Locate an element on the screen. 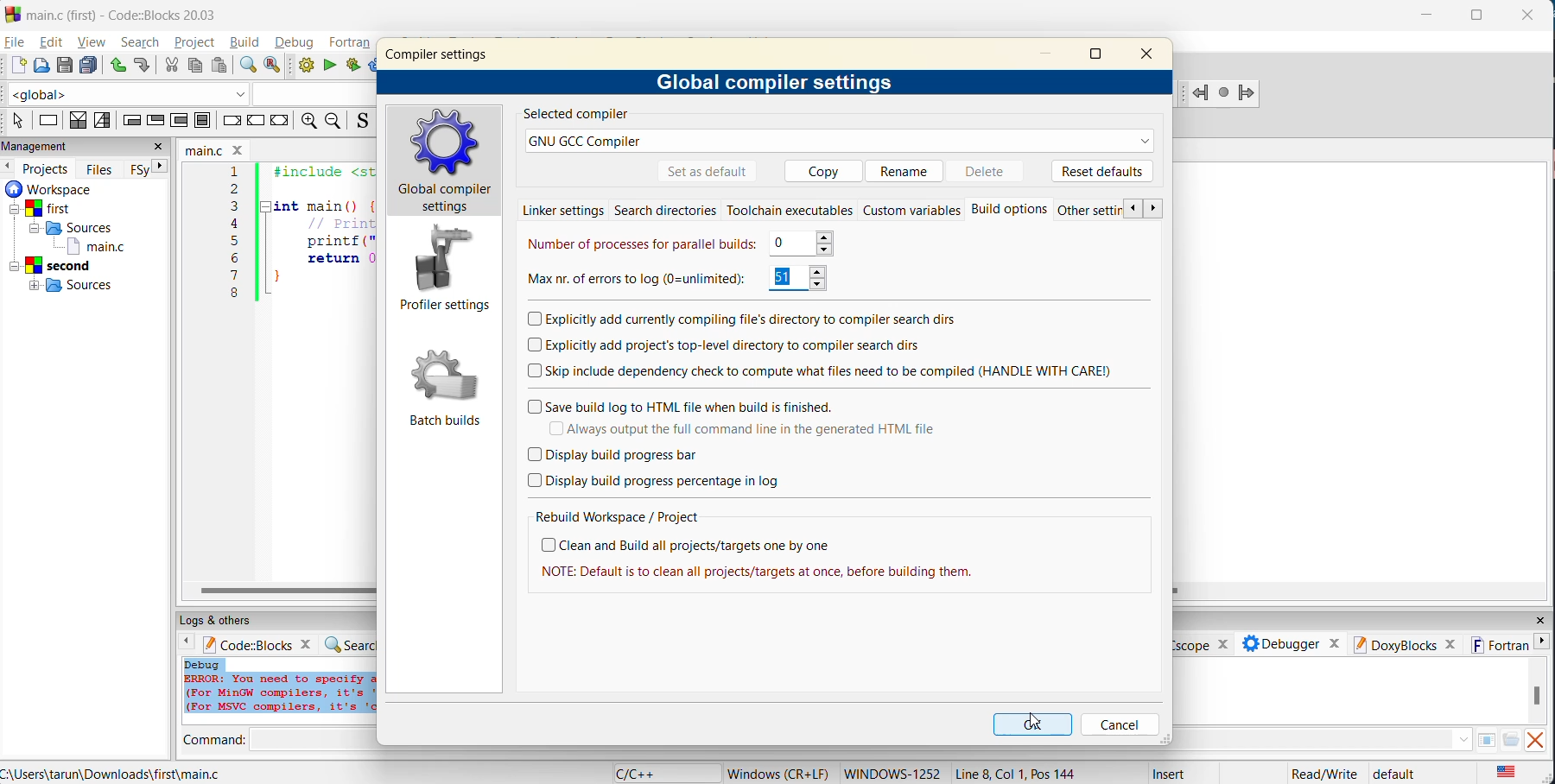  Read/Write is located at coordinates (1323, 773).